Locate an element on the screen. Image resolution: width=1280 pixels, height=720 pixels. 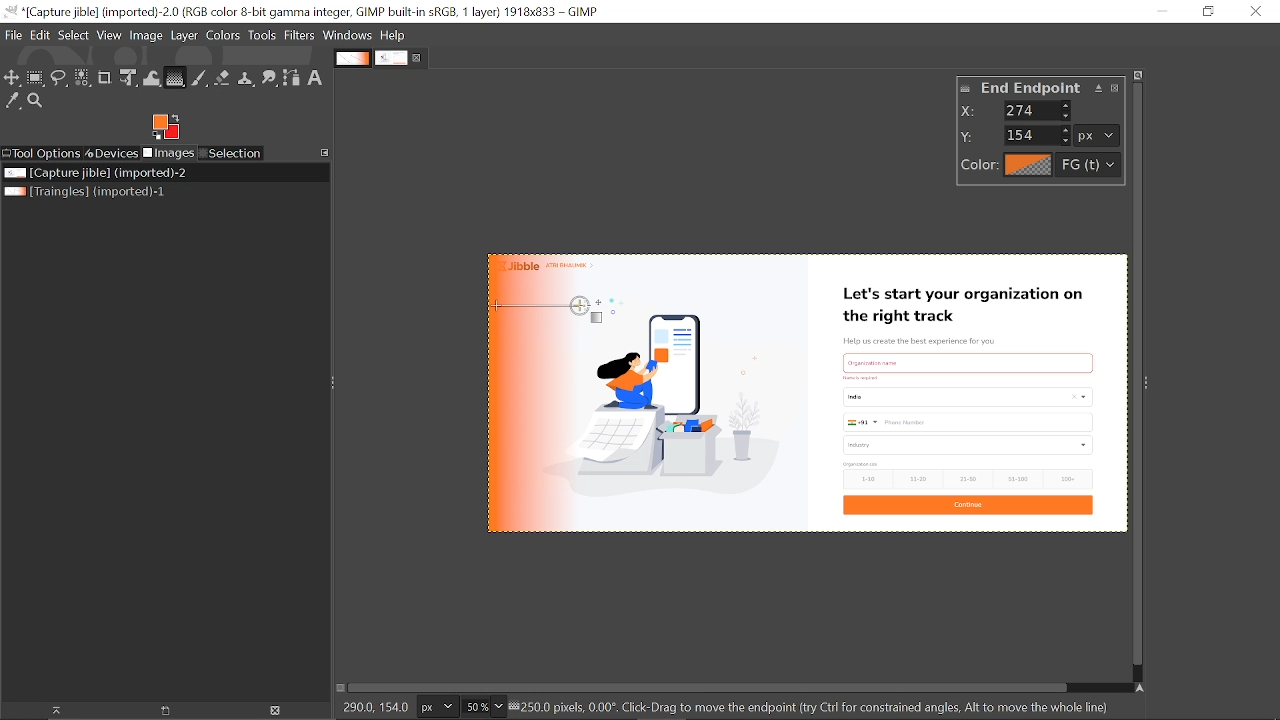
text tool is located at coordinates (318, 78).